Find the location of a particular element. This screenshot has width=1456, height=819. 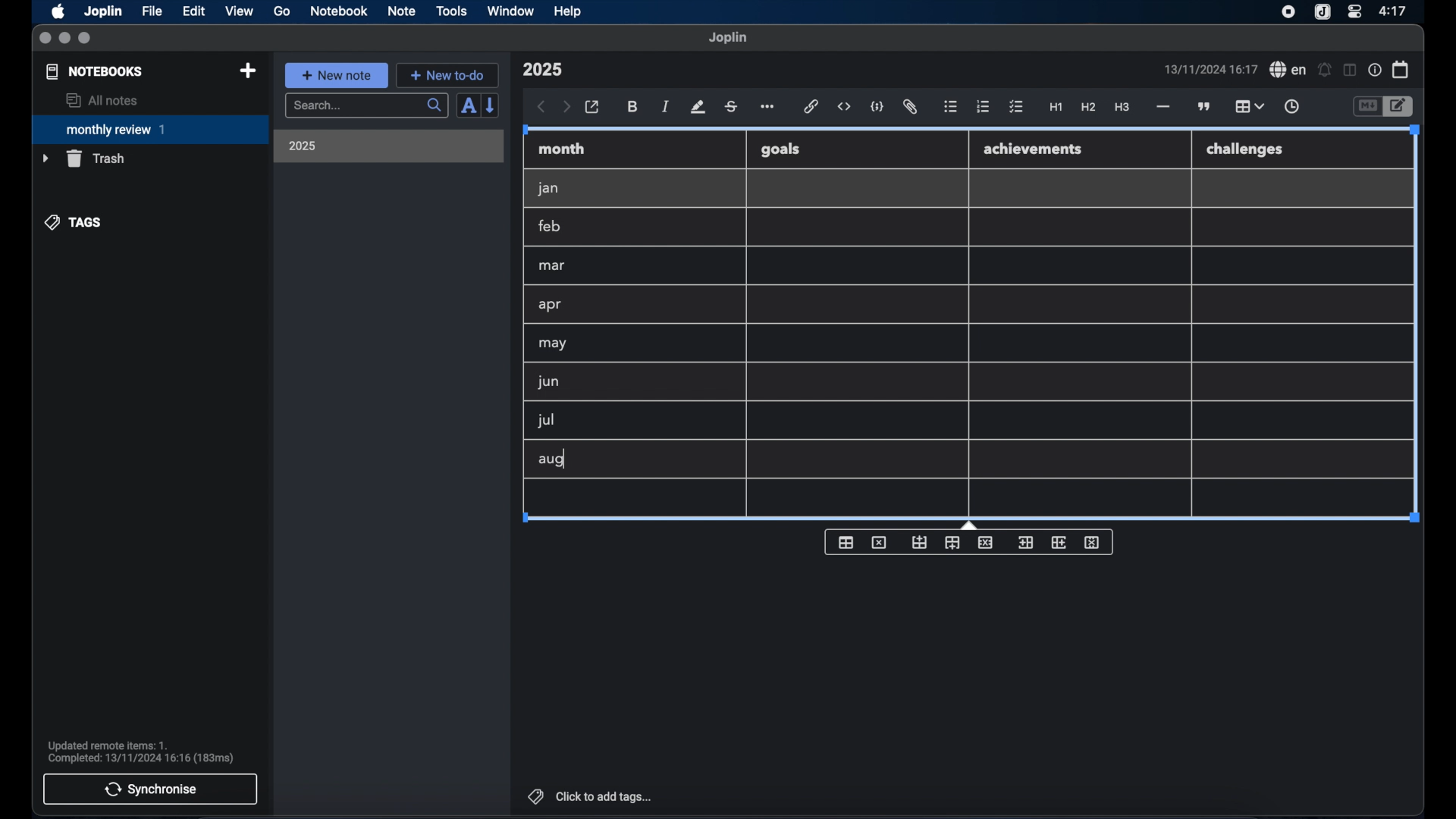

jul is located at coordinates (544, 421).